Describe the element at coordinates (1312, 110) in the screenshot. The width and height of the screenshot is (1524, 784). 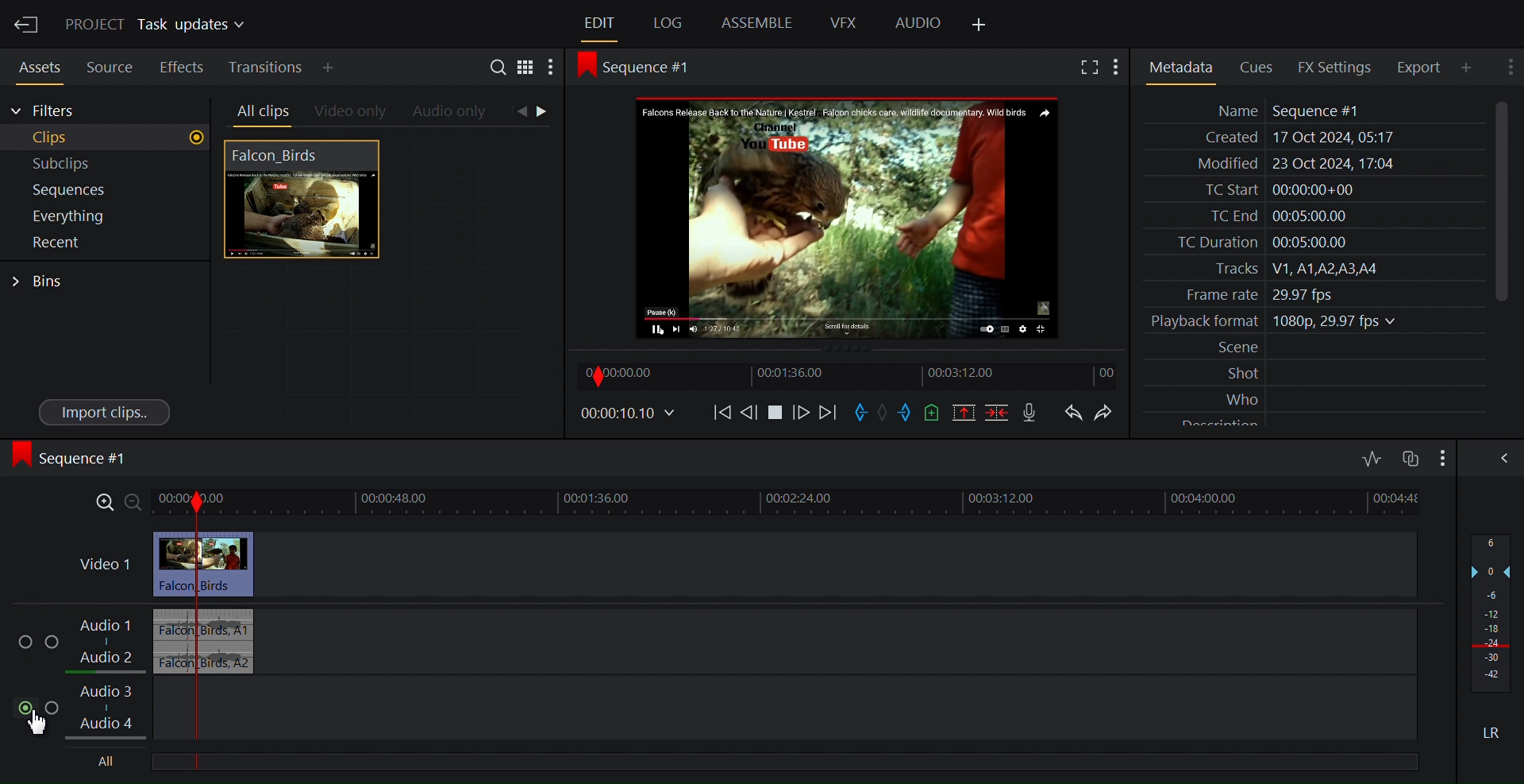
I see `Name` at that location.